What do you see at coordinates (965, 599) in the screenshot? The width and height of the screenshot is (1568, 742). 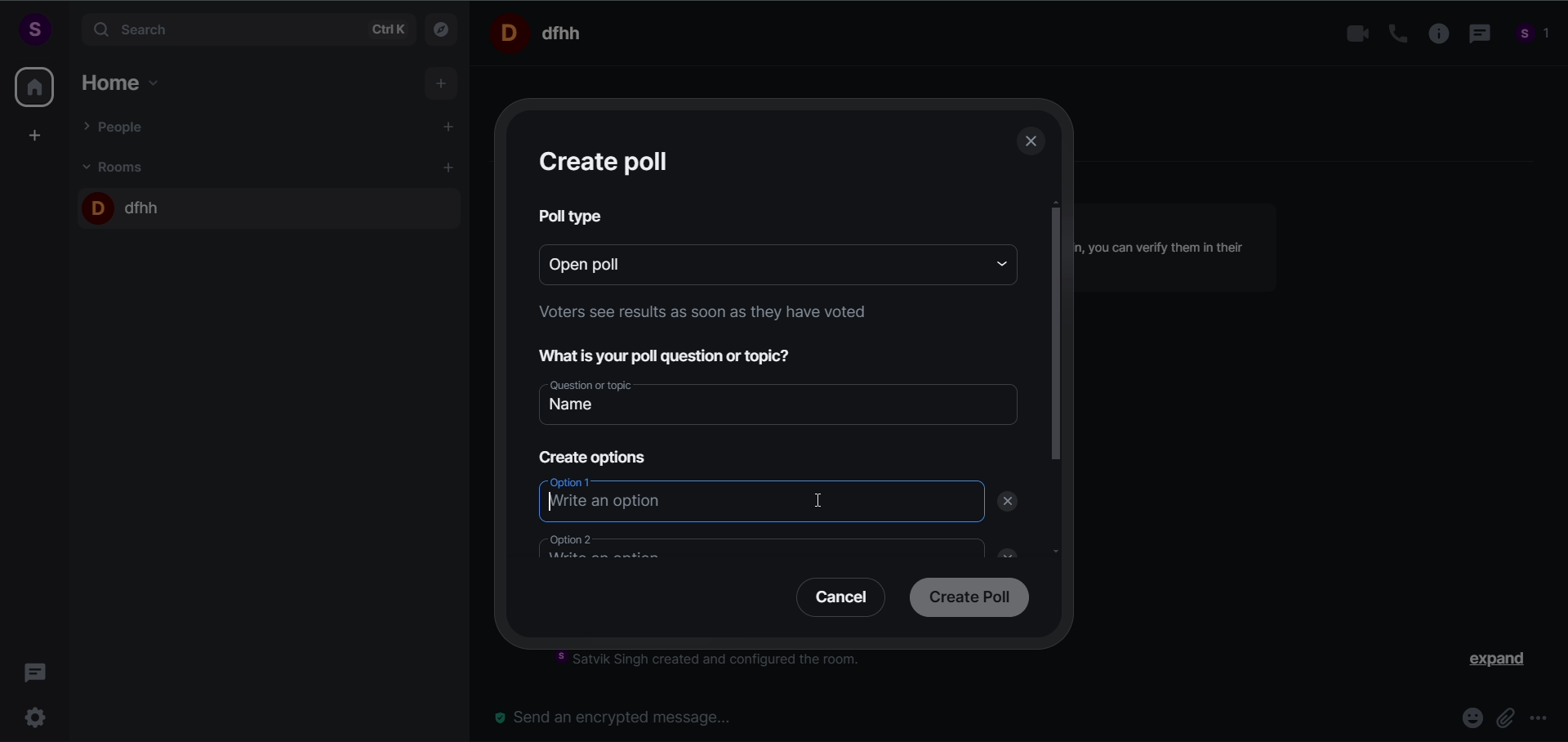 I see `create poll` at bounding box center [965, 599].